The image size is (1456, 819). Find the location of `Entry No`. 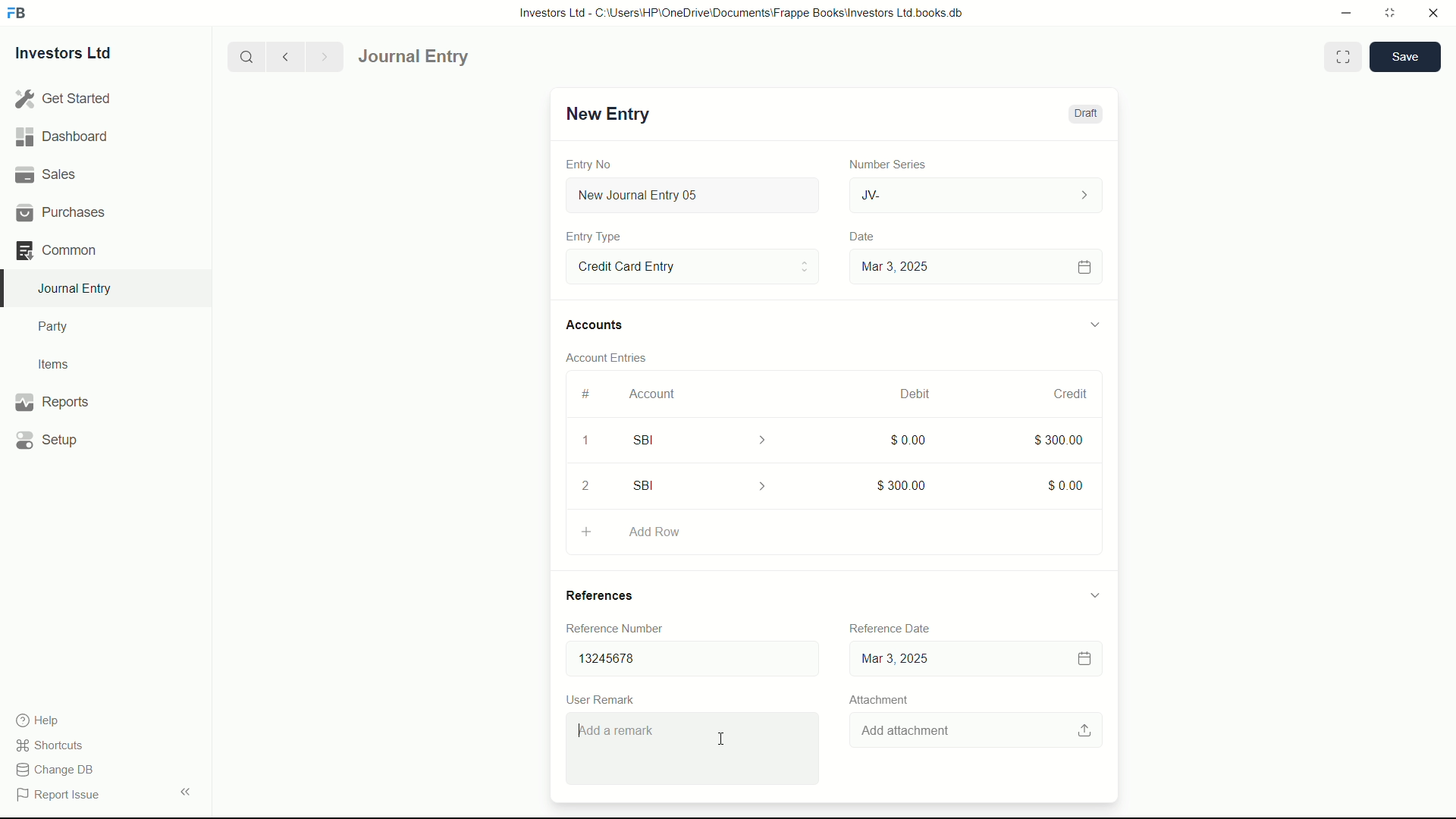

Entry No is located at coordinates (591, 162).